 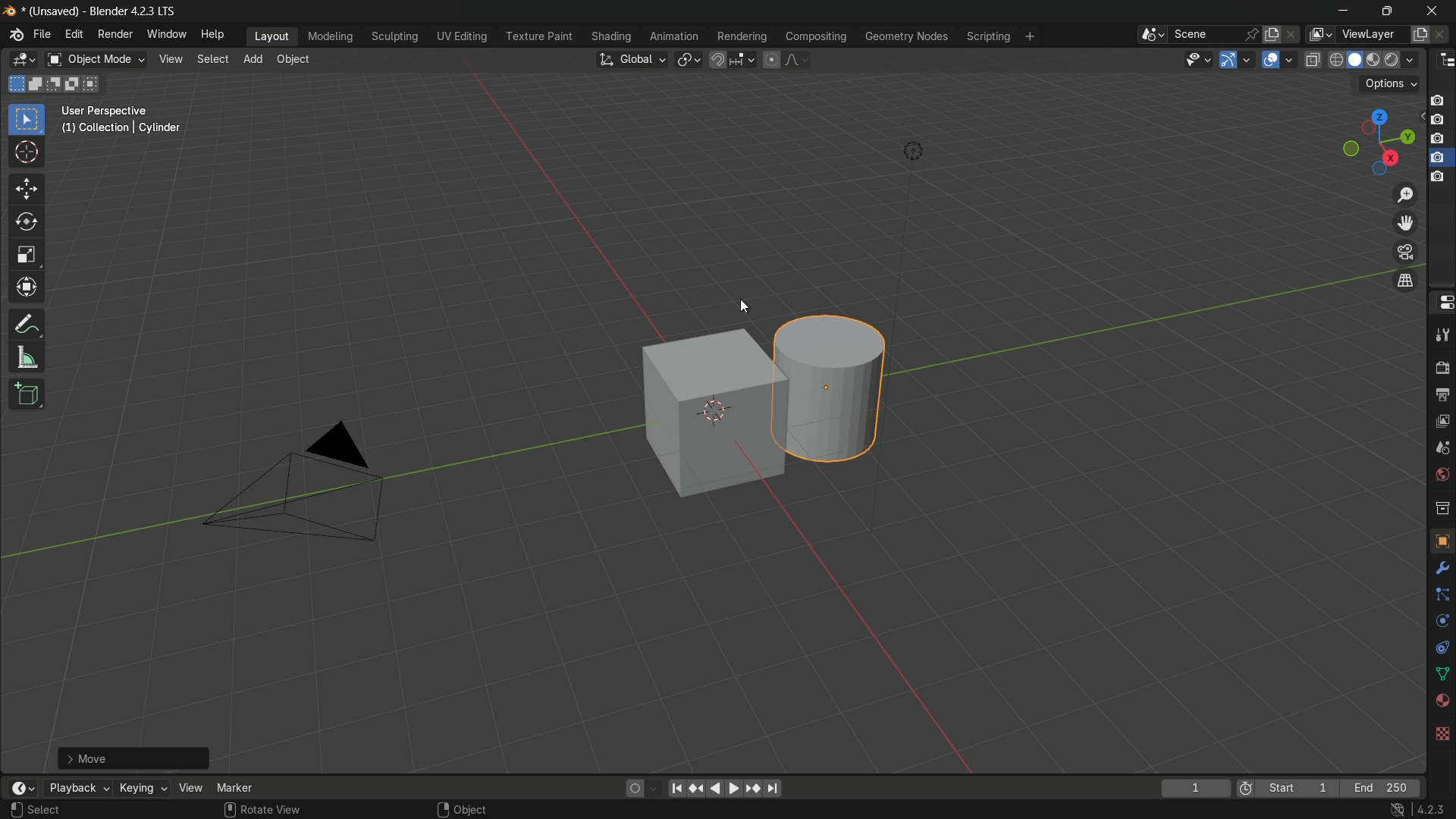 I want to click on gizmos, so click(x=1246, y=59).